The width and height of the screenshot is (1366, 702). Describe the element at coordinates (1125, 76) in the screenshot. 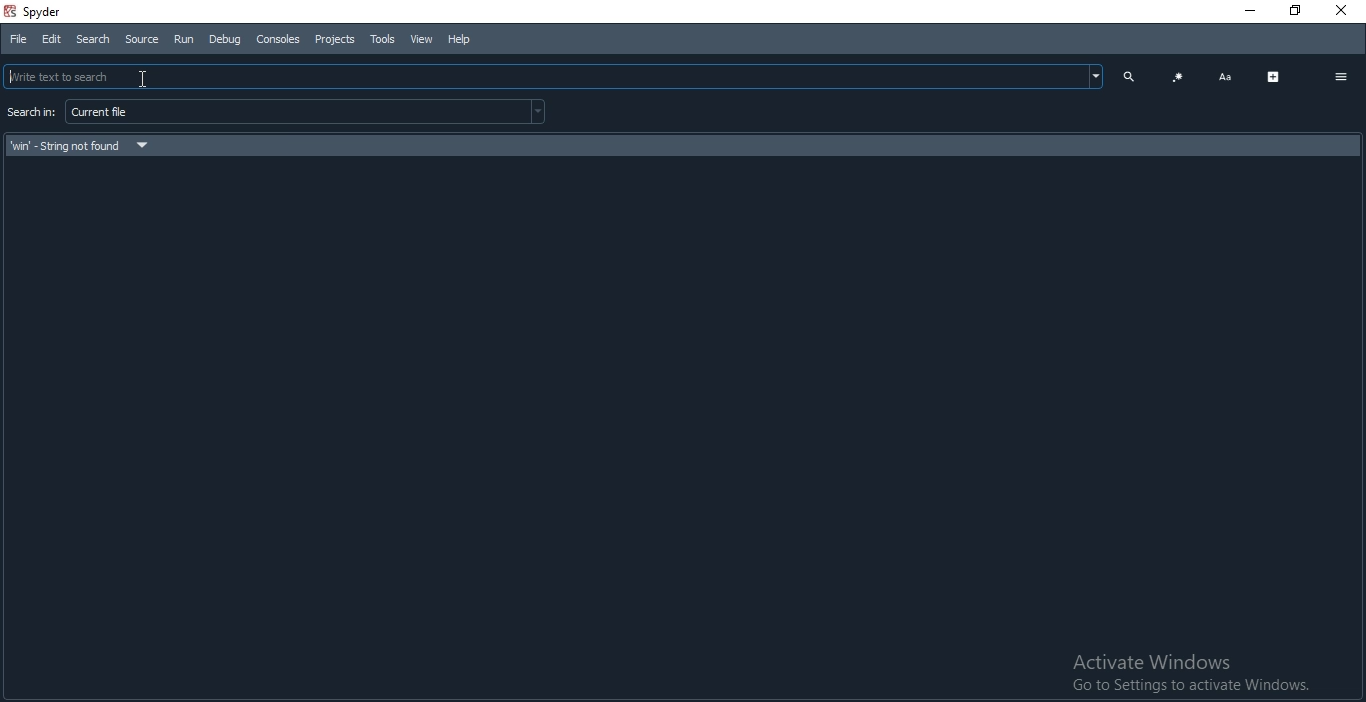

I see `search ` at that location.